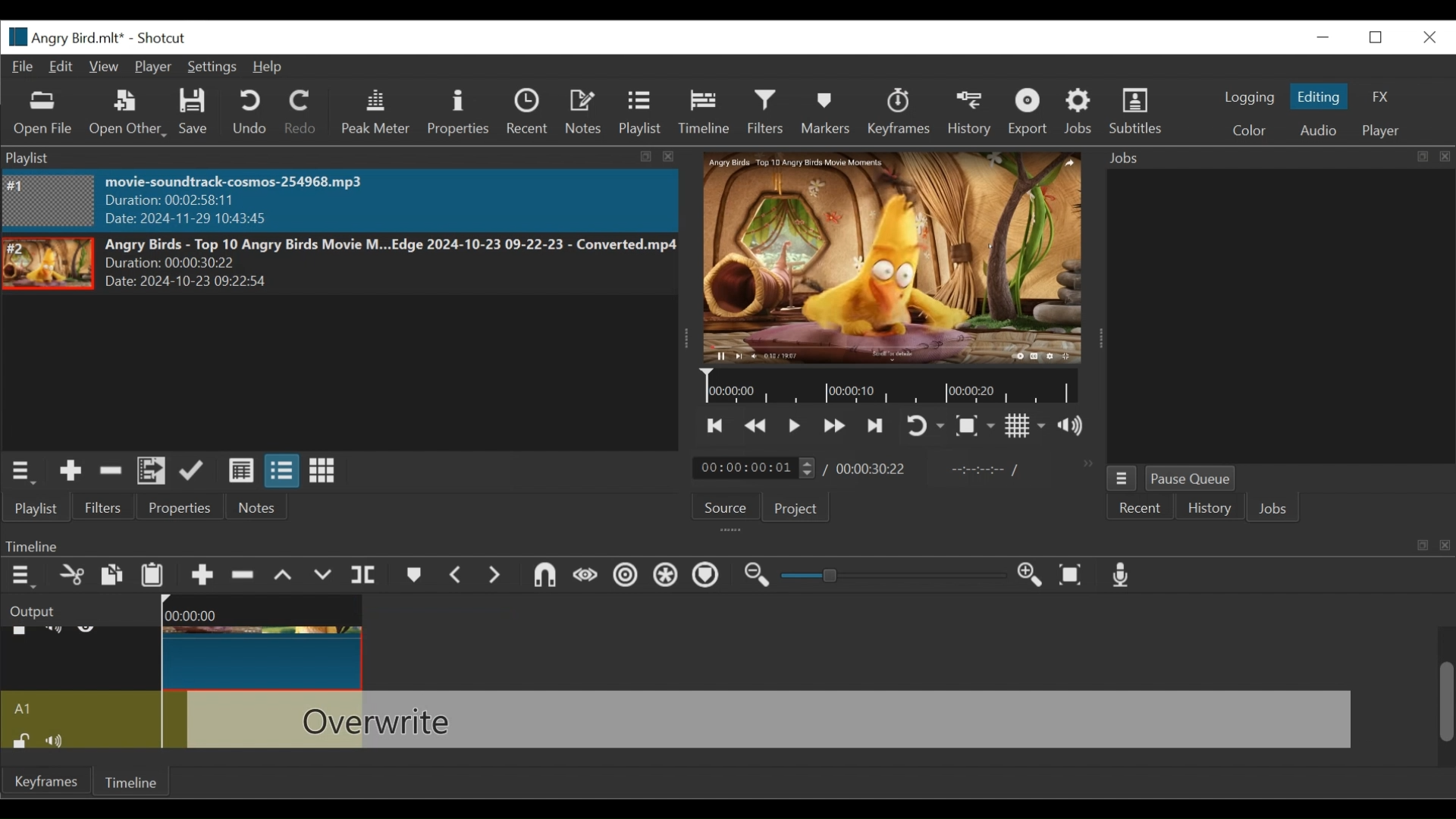 The height and width of the screenshot is (819, 1456). I want to click on File, so click(24, 66).